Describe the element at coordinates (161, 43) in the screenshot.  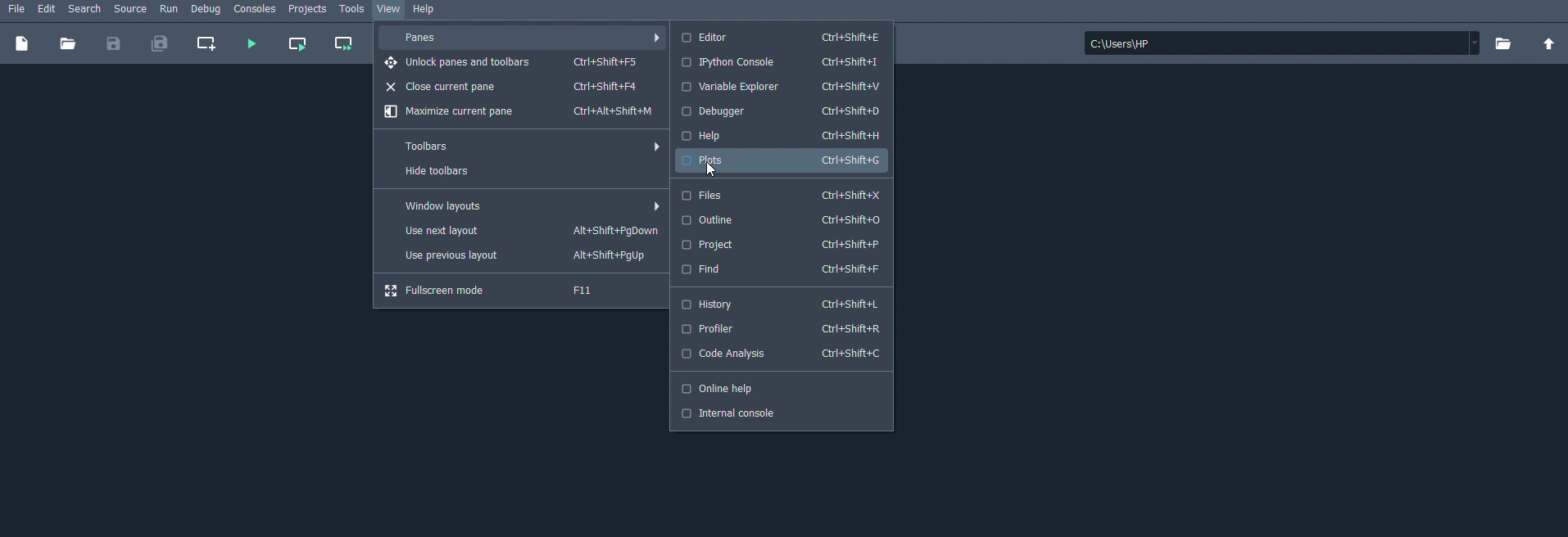
I see `Save all files` at that location.